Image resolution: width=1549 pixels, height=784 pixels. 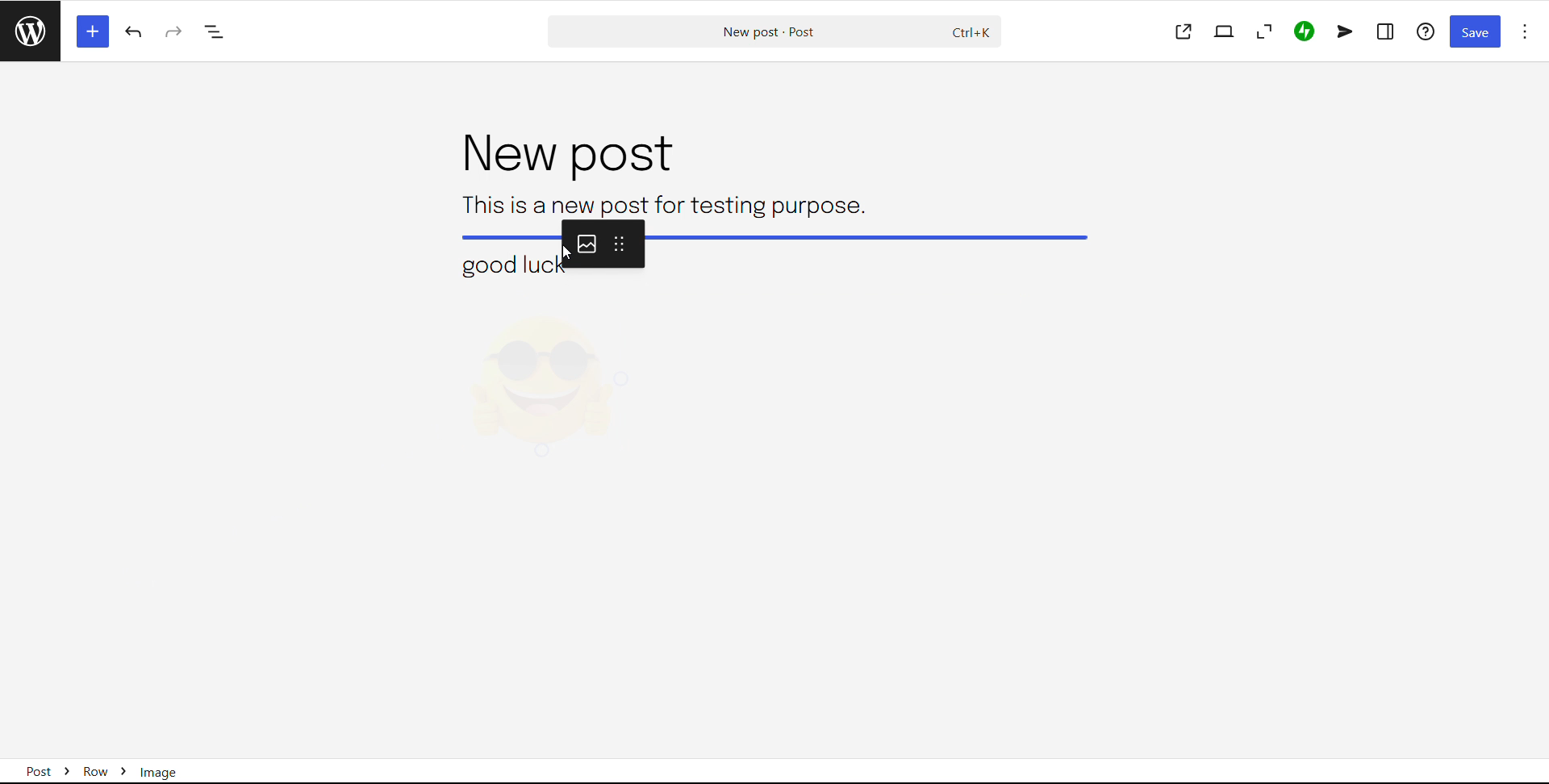 I want to click on block inserter, so click(x=91, y=31).